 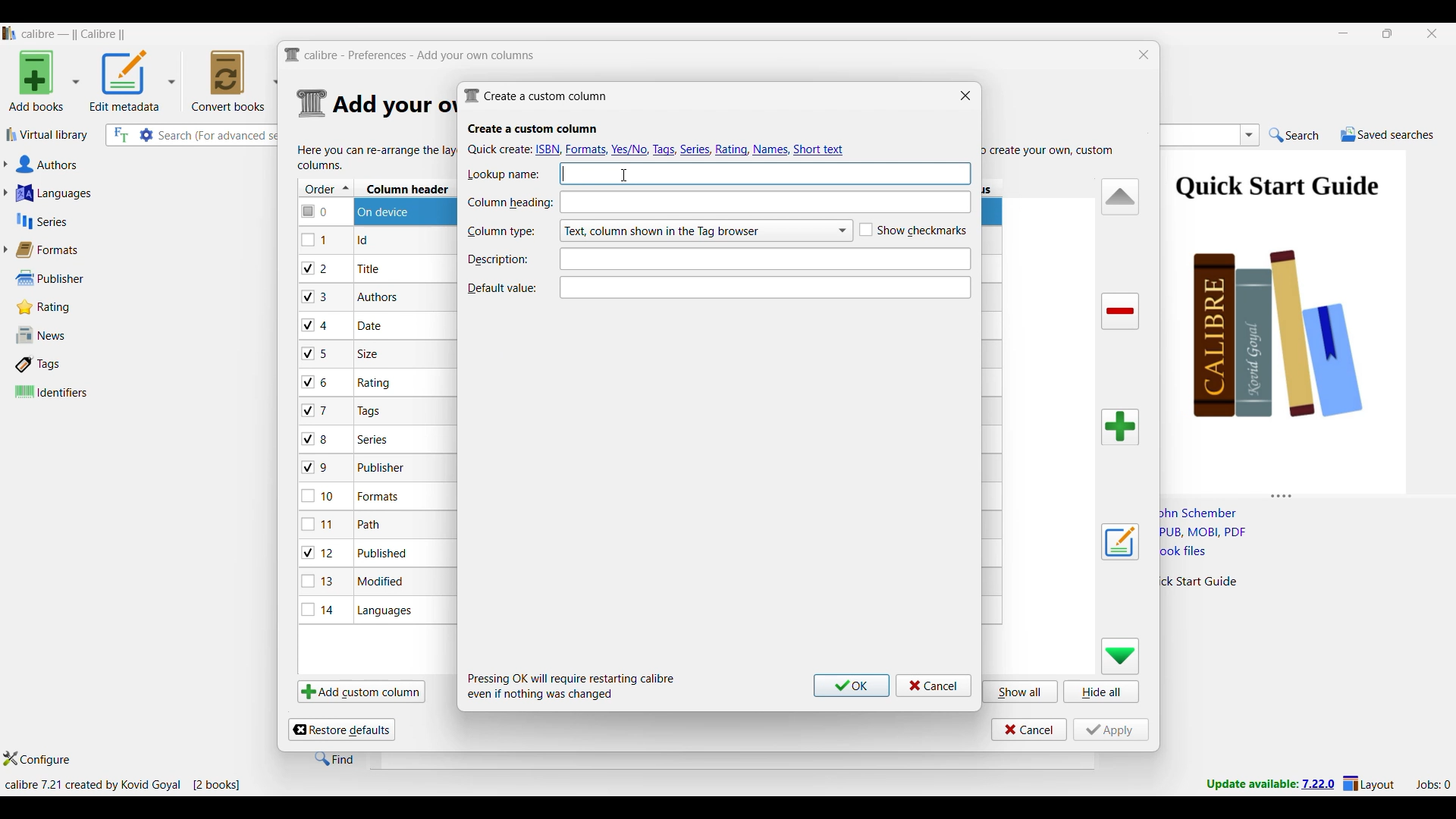 I want to click on checkbox - 8, so click(x=316, y=438).